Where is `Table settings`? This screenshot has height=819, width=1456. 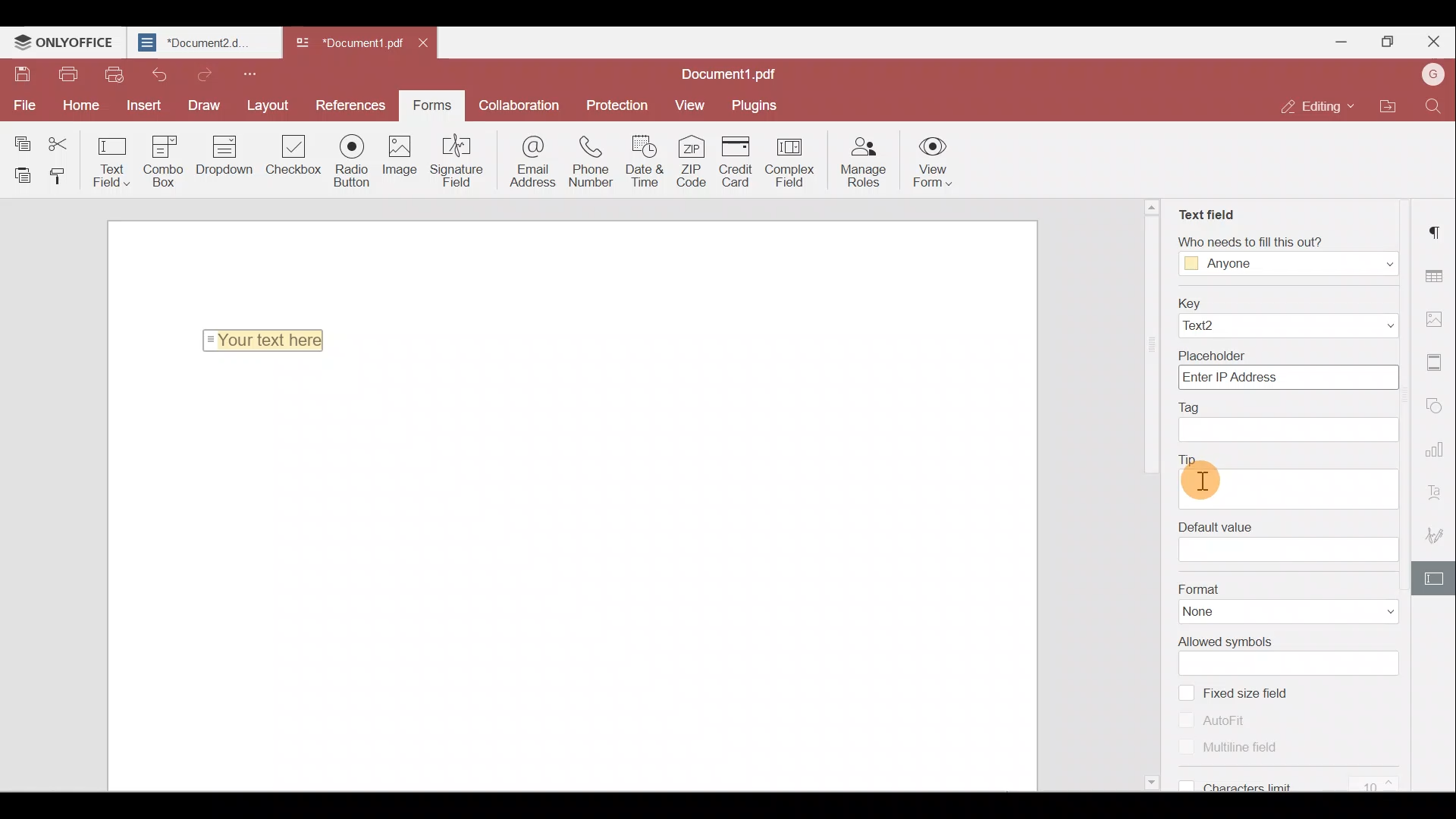
Table settings is located at coordinates (1436, 271).